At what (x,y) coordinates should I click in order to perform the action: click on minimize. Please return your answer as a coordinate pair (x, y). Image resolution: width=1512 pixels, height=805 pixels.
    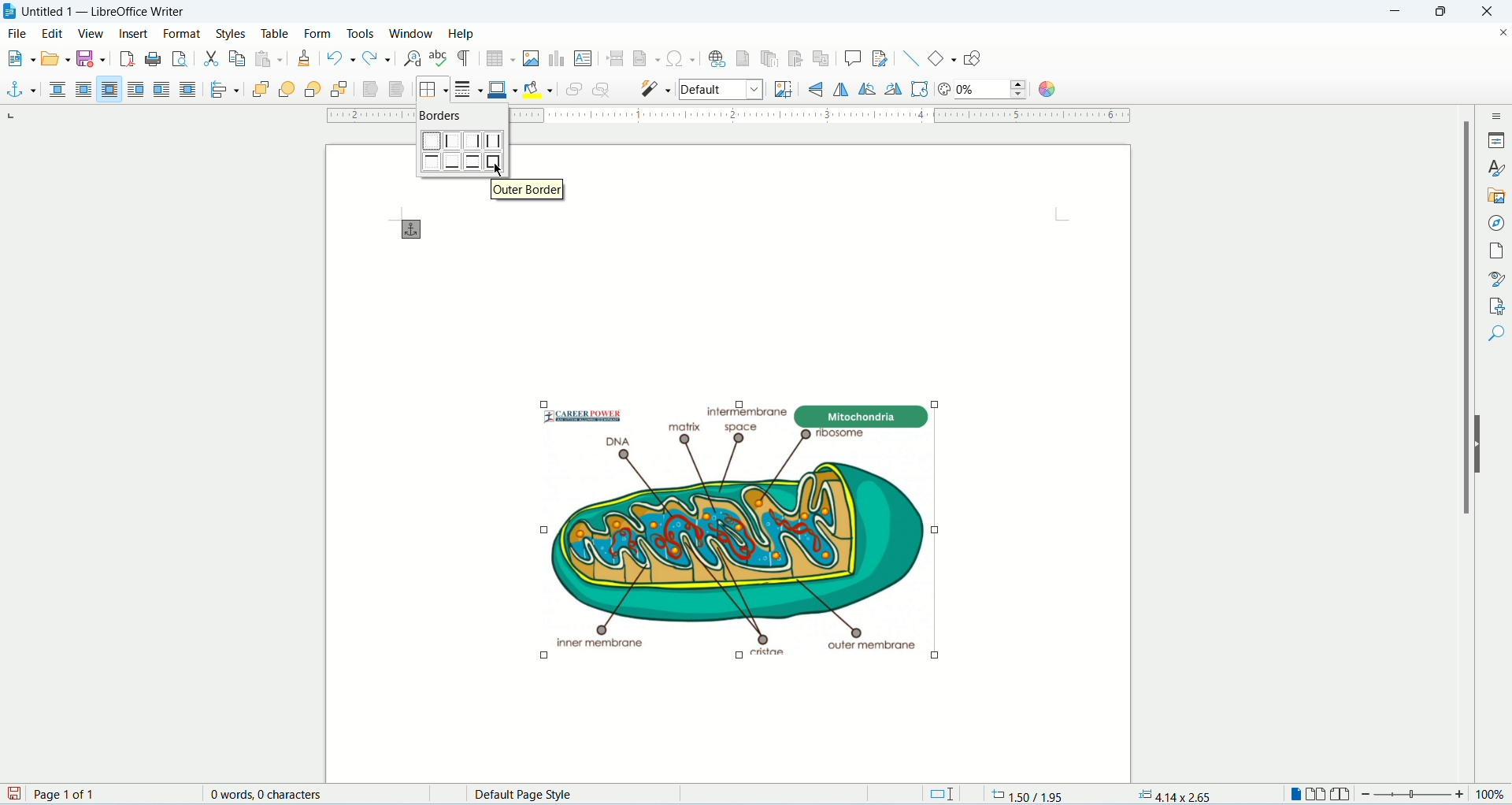
    Looking at the image, I should click on (1398, 12).